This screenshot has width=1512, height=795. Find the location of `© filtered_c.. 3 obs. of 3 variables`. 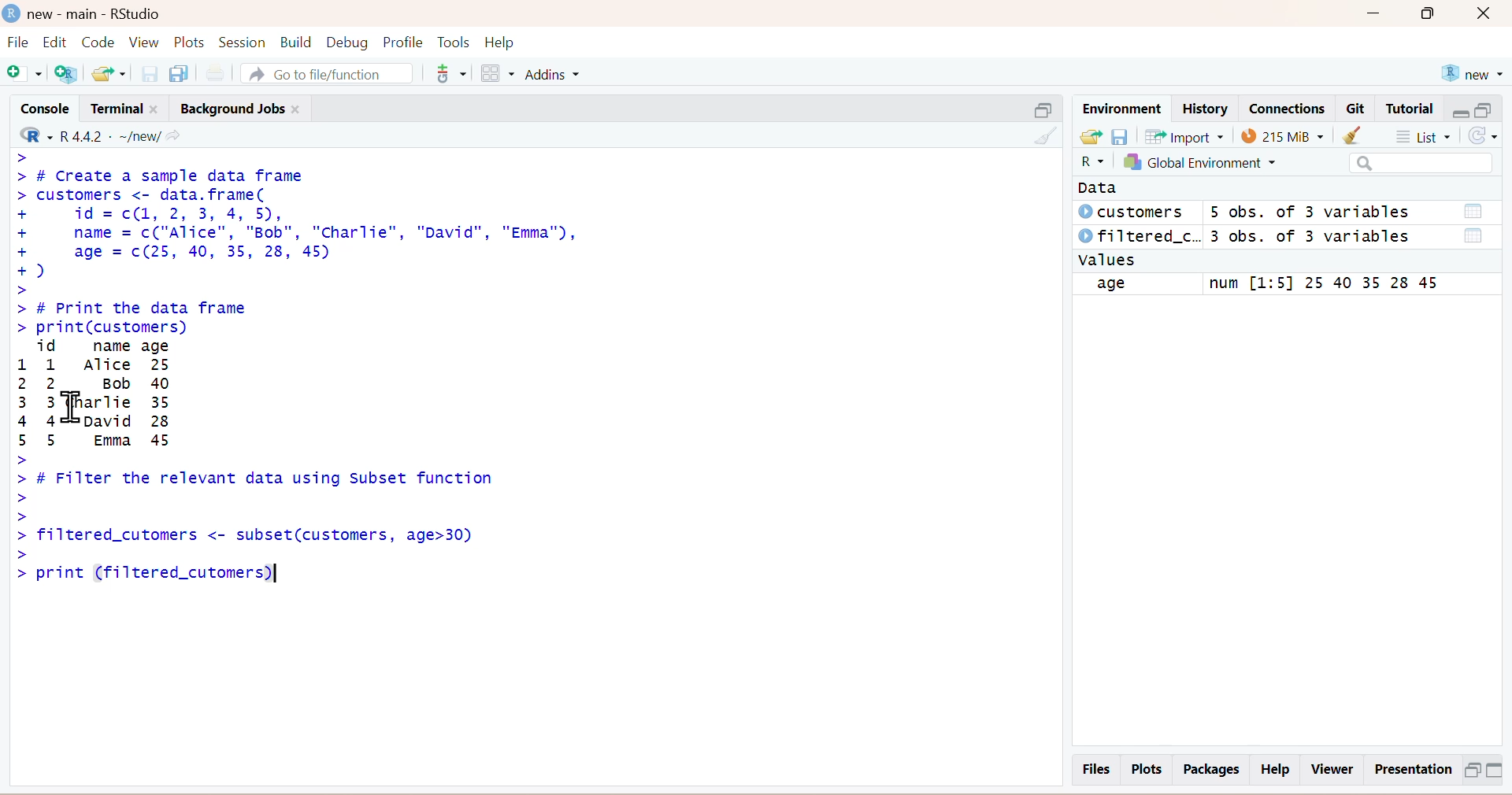

© filtered_c.. 3 obs. of 3 variables is located at coordinates (1286, 236).